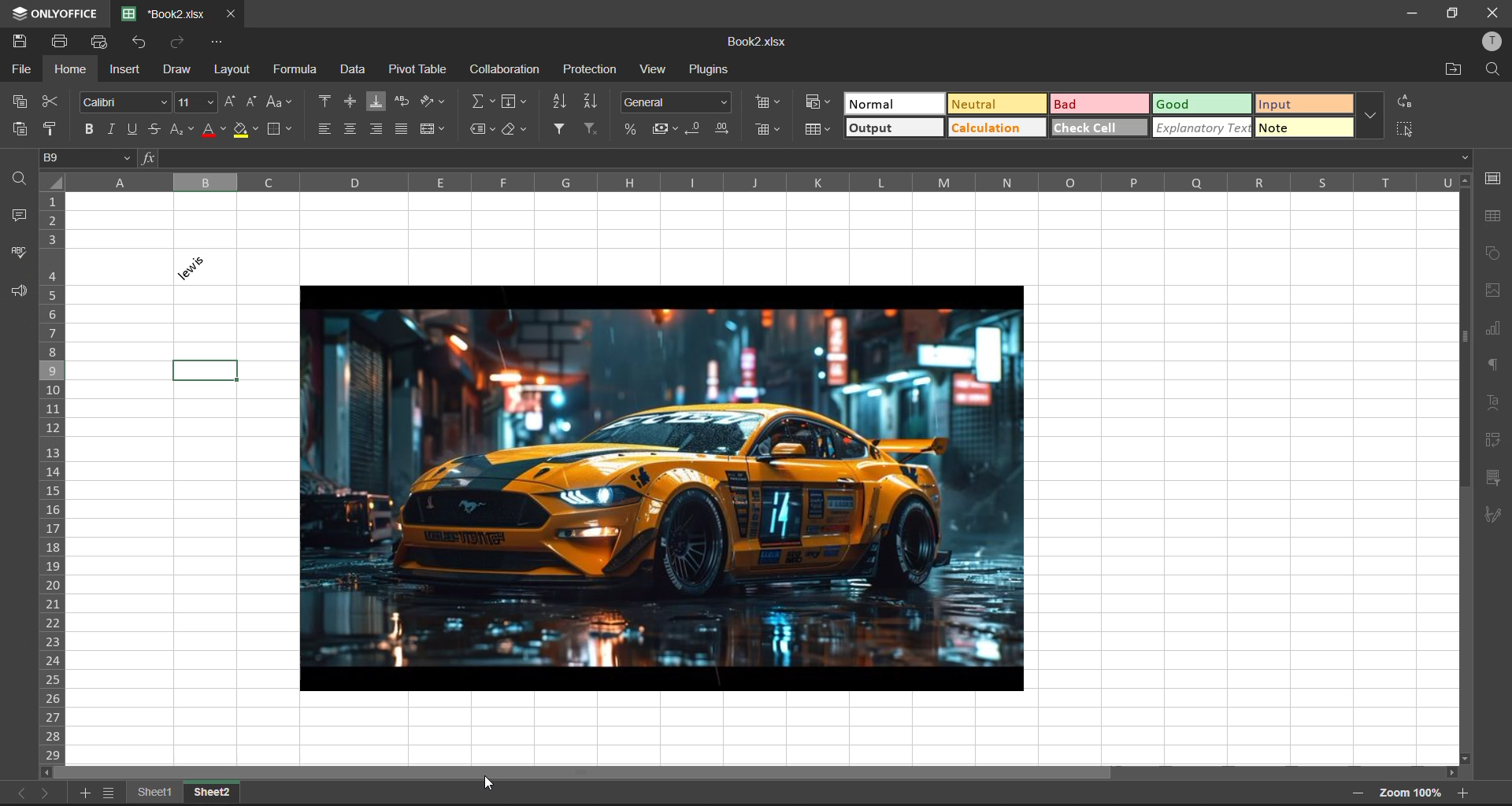  What do you see at coordinates (16, 213) in the screenshot?
I see `comments` at bounding box center [16, 213].